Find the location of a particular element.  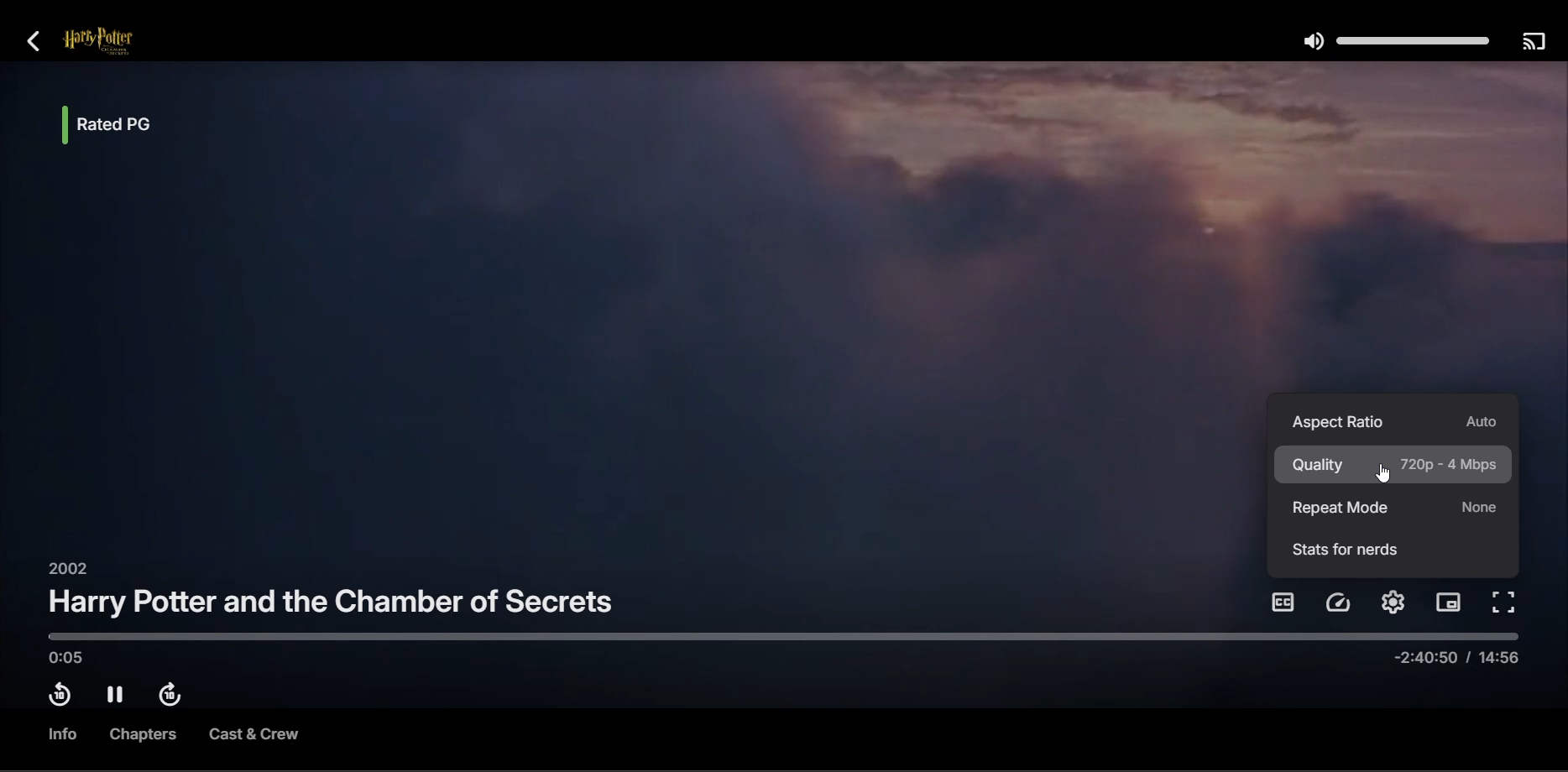

Fast-forward is located at coordinates (175, 696).